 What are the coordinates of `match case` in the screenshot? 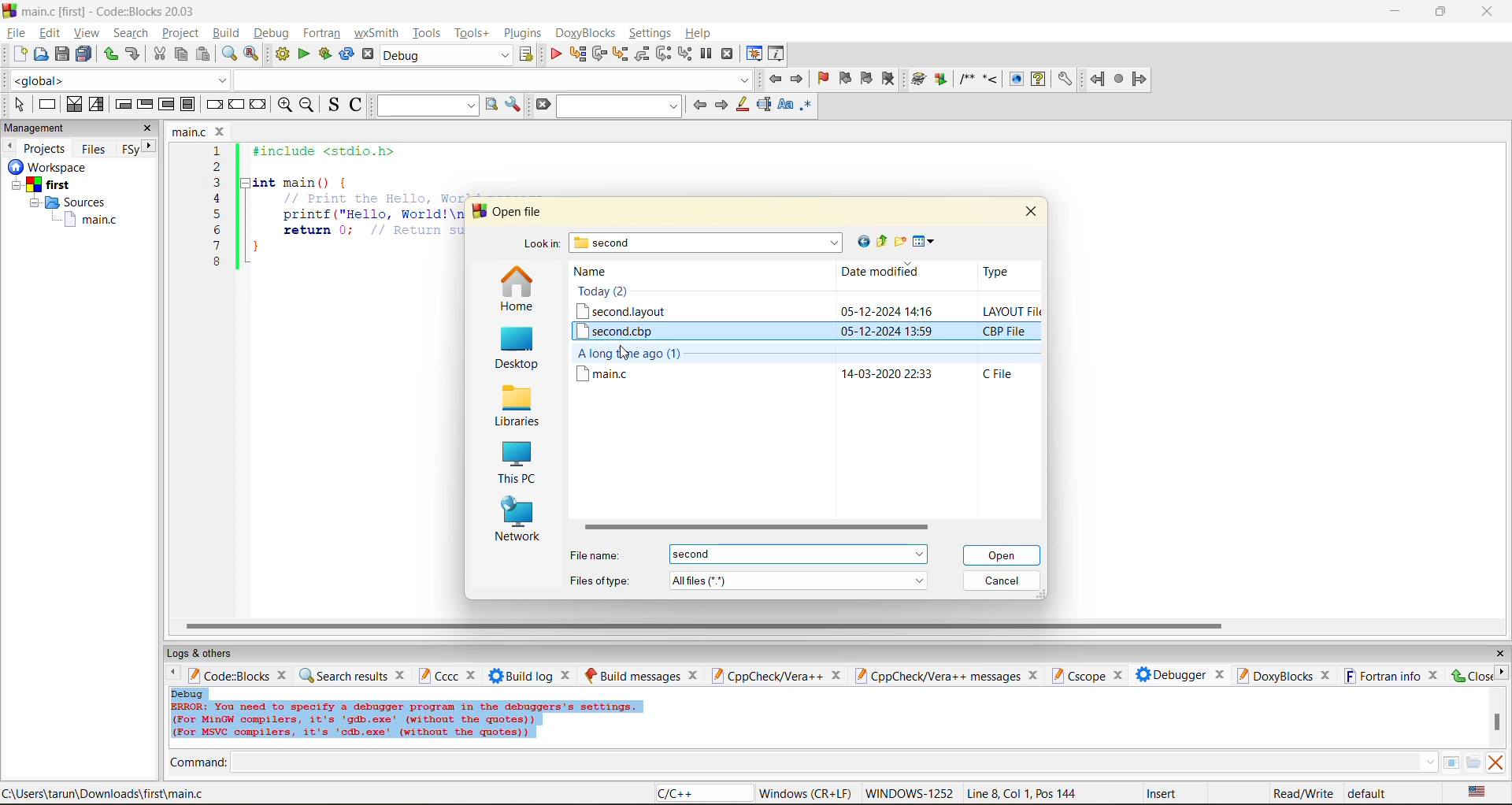 It's located at (784, 106).